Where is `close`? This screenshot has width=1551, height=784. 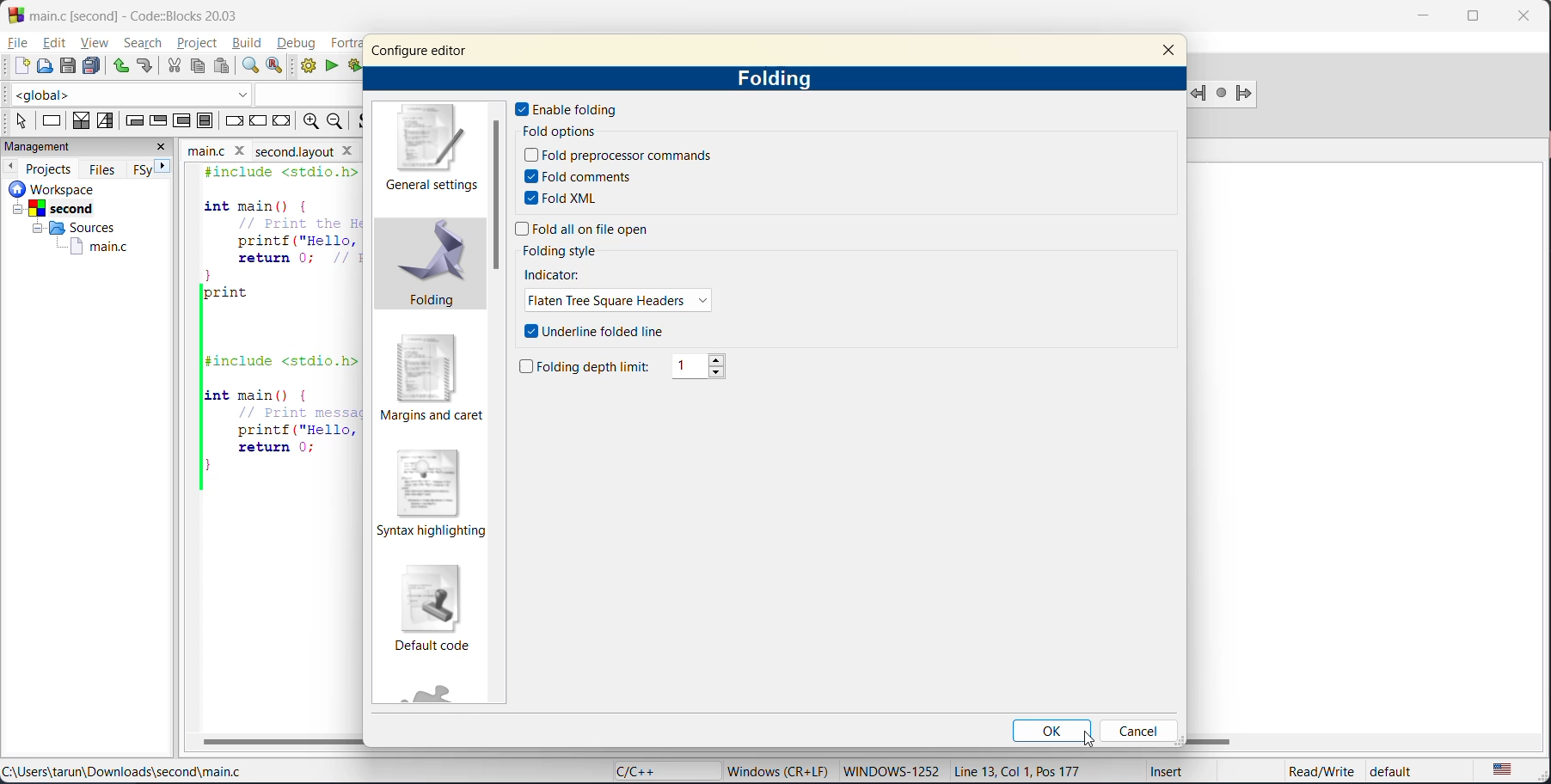 close is located at coordinates (1170, 52).